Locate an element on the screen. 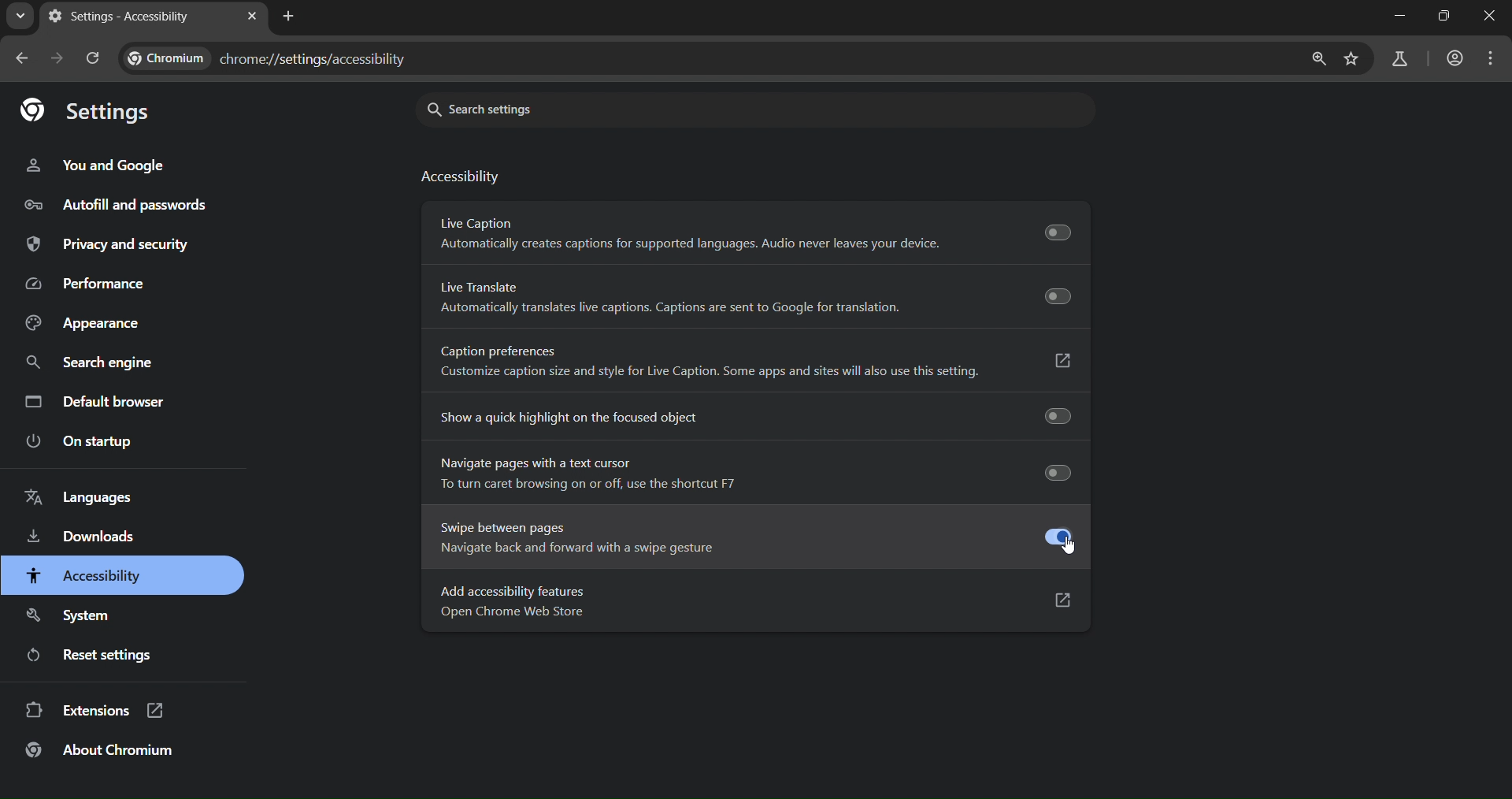  new tab is located at coordinates (292, 17).